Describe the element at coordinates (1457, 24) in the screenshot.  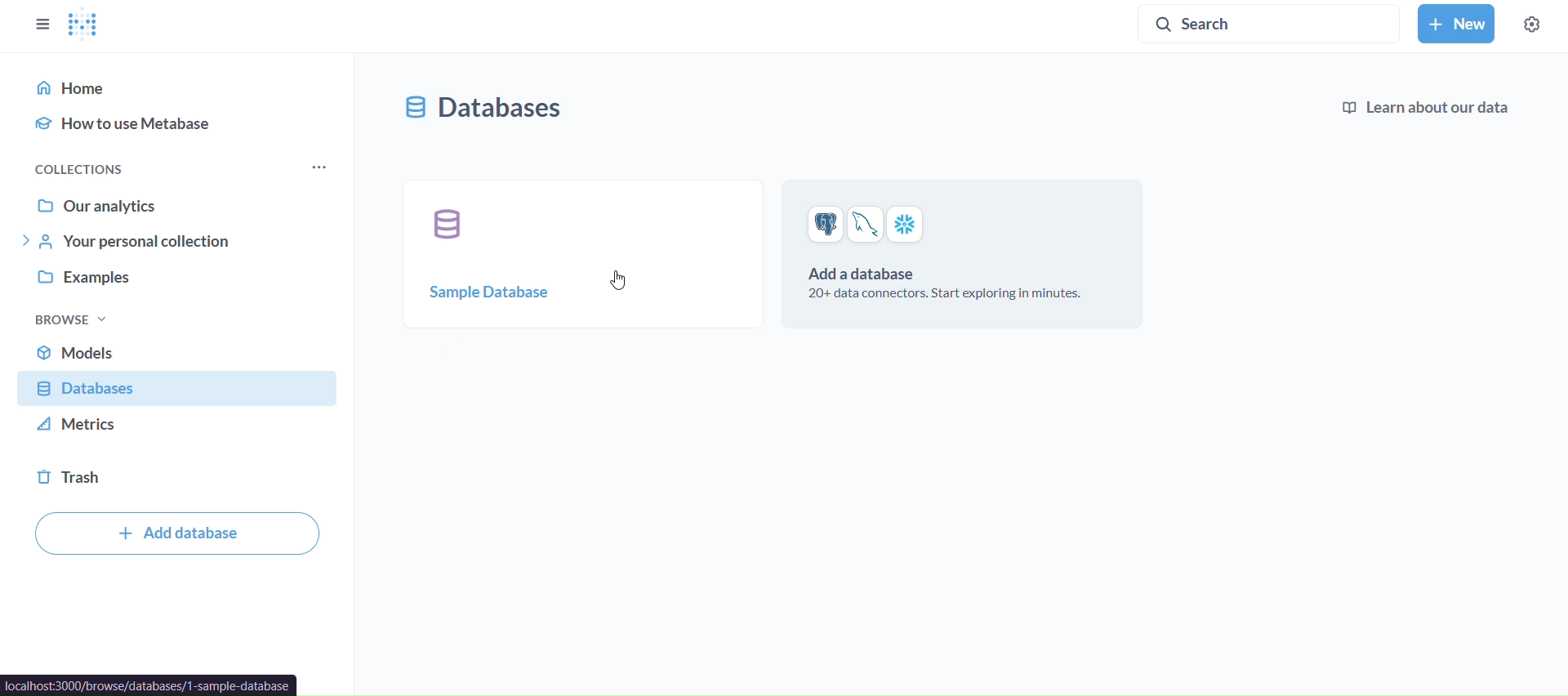
I see `new` at that location.